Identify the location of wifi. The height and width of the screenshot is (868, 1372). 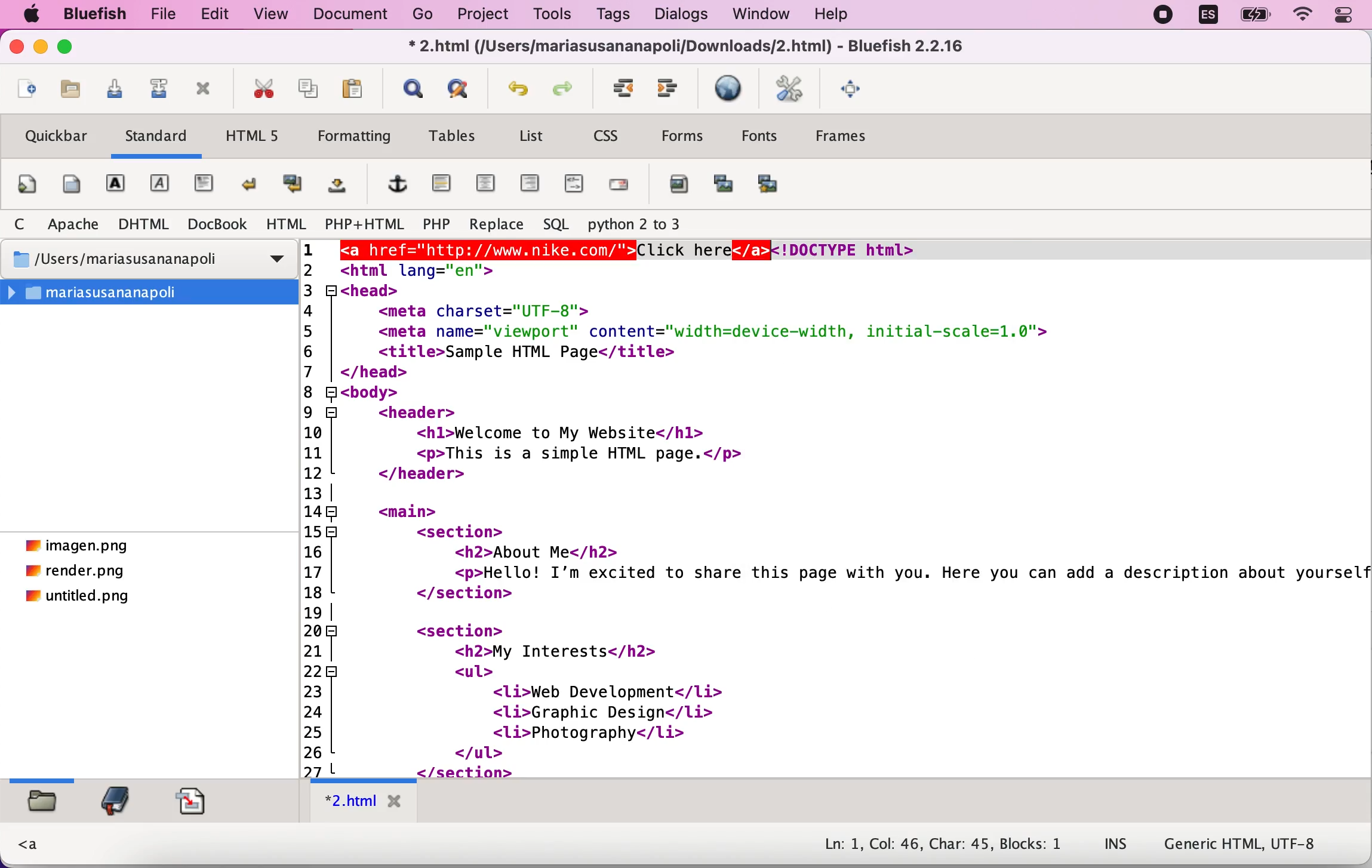
(1303, 17).